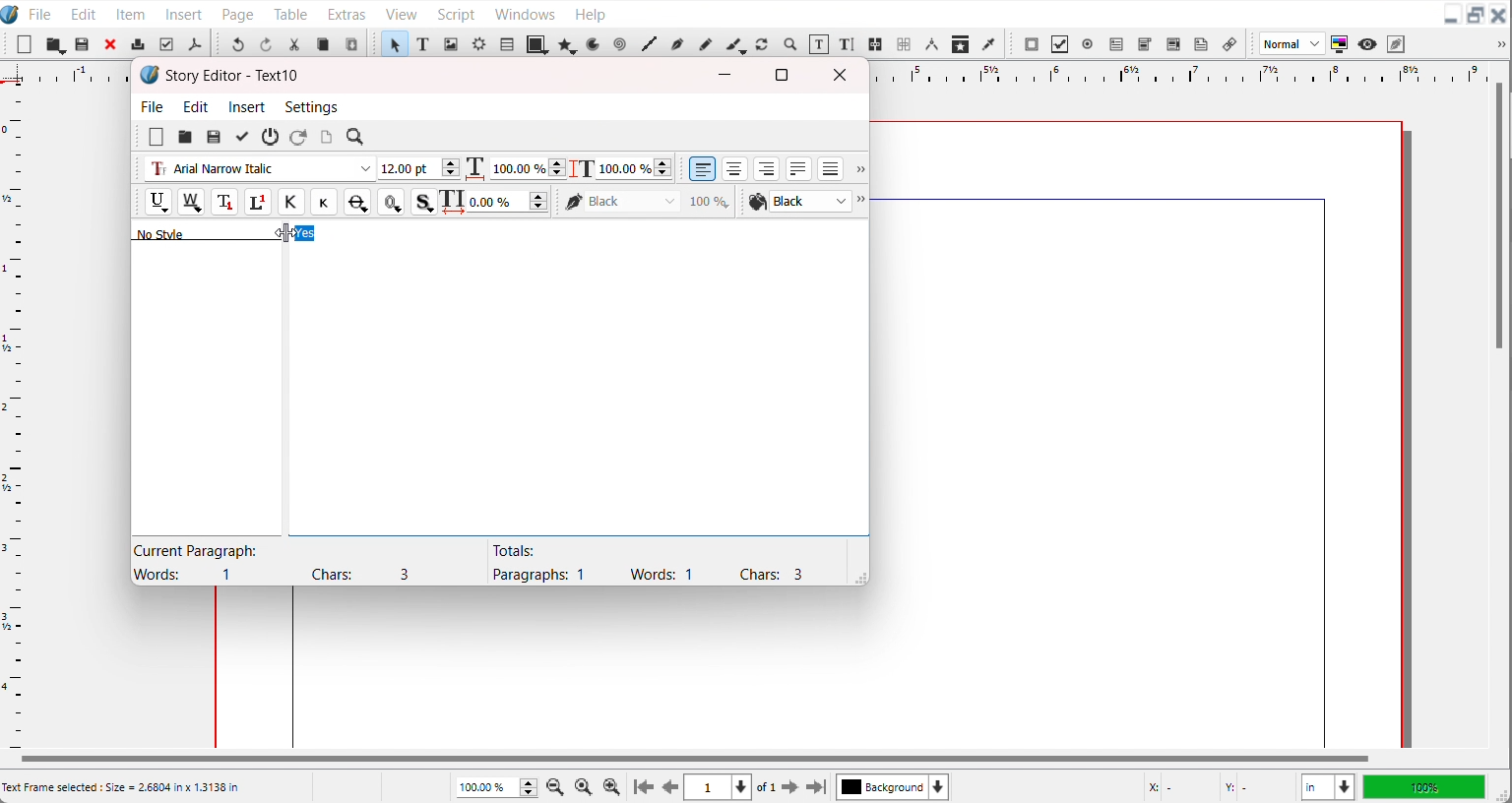  Describe the element at coordinates (1087, 44) in the screenshot. I see `PDF radio button` at that location.